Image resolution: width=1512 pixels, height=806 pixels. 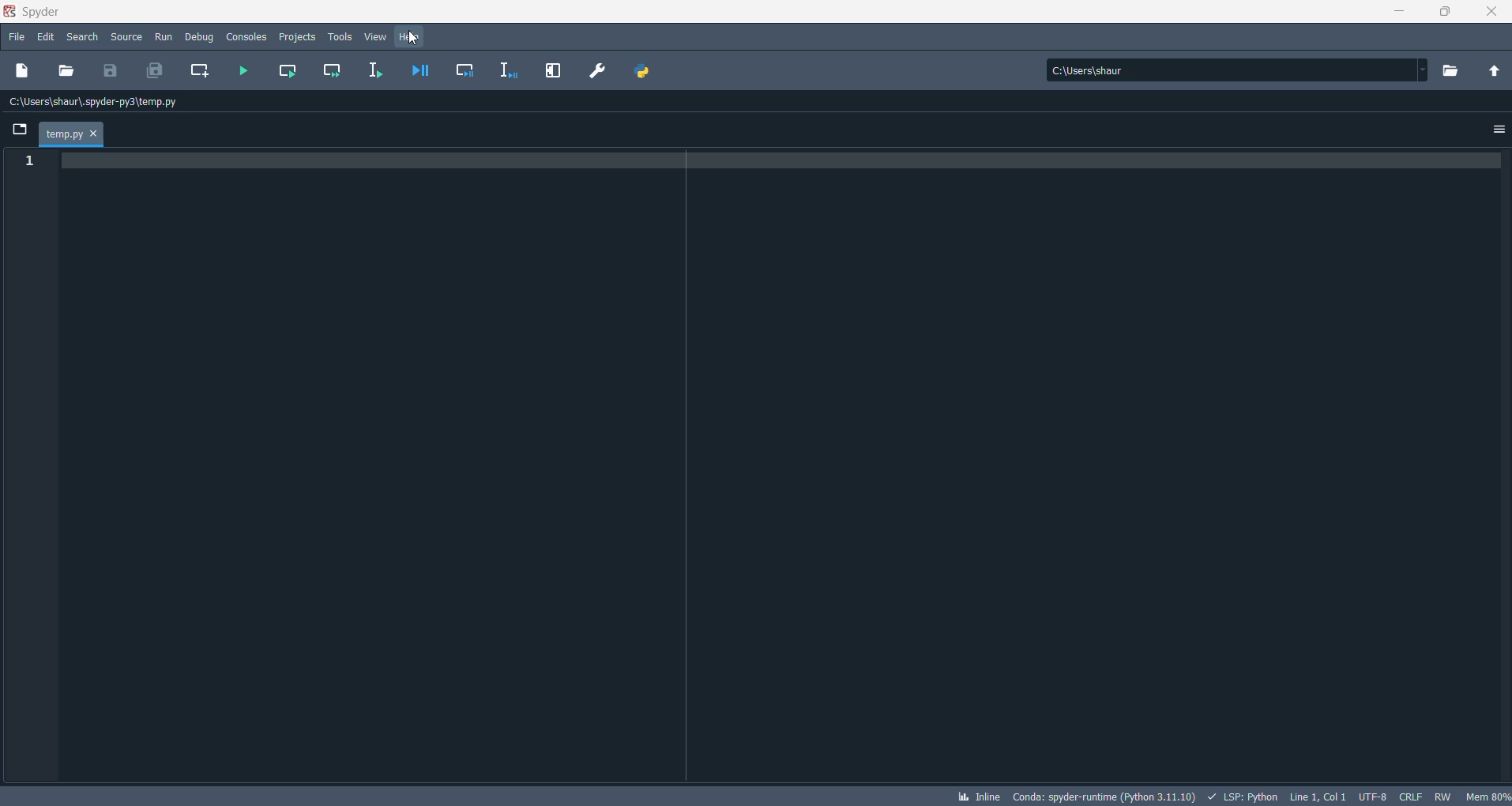 What do you see at coordinates (555, 71) in the screenshot?
I see `MAXIMIZE CURRENT PANE` at bounding box center [555, 71].